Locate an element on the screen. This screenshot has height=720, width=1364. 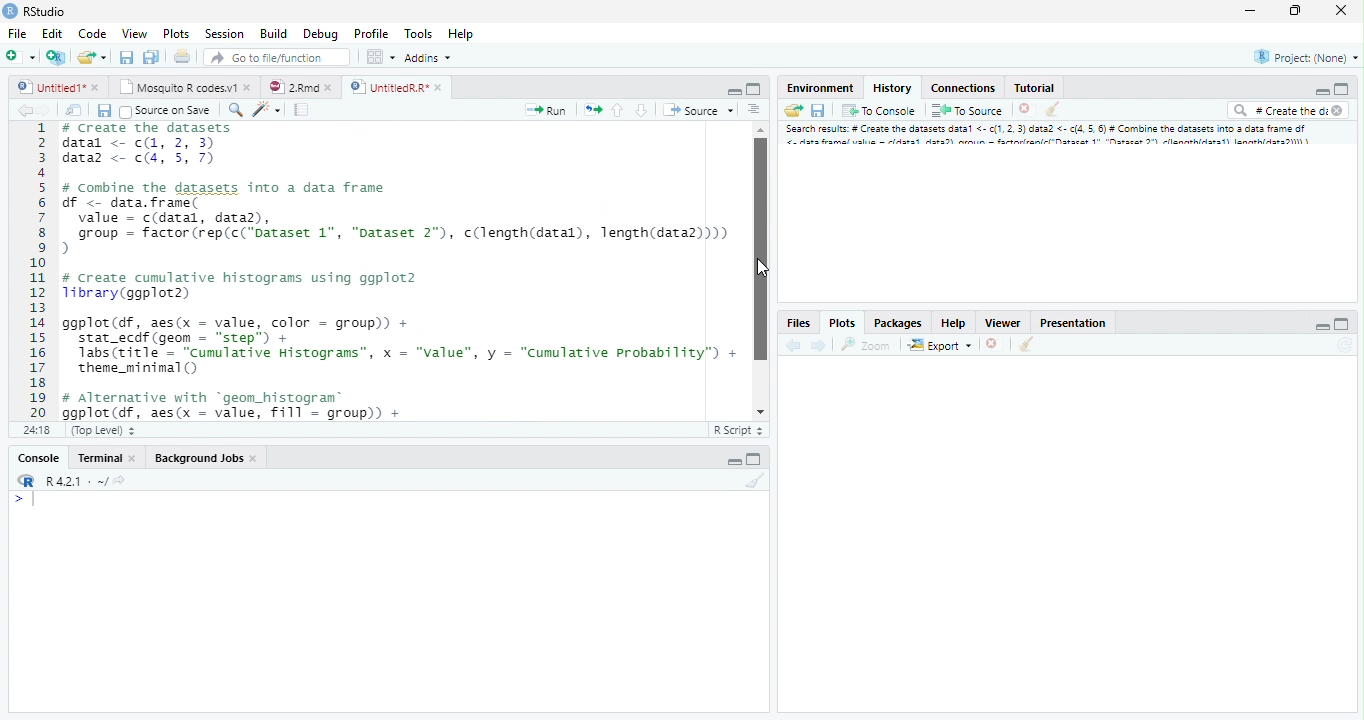
Background Jobs is located at coordinates (207, 458).